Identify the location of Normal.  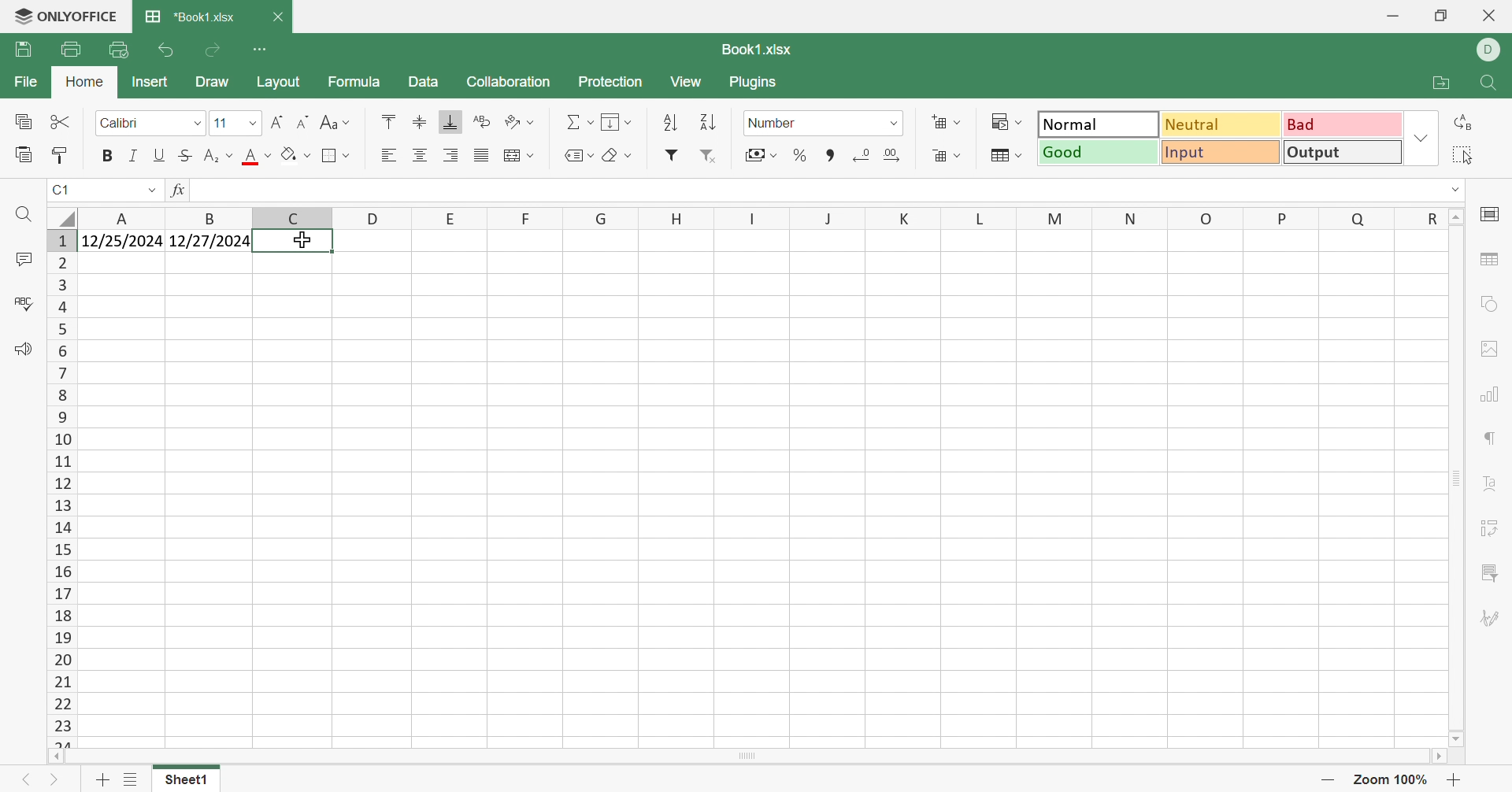
(1099, 124).